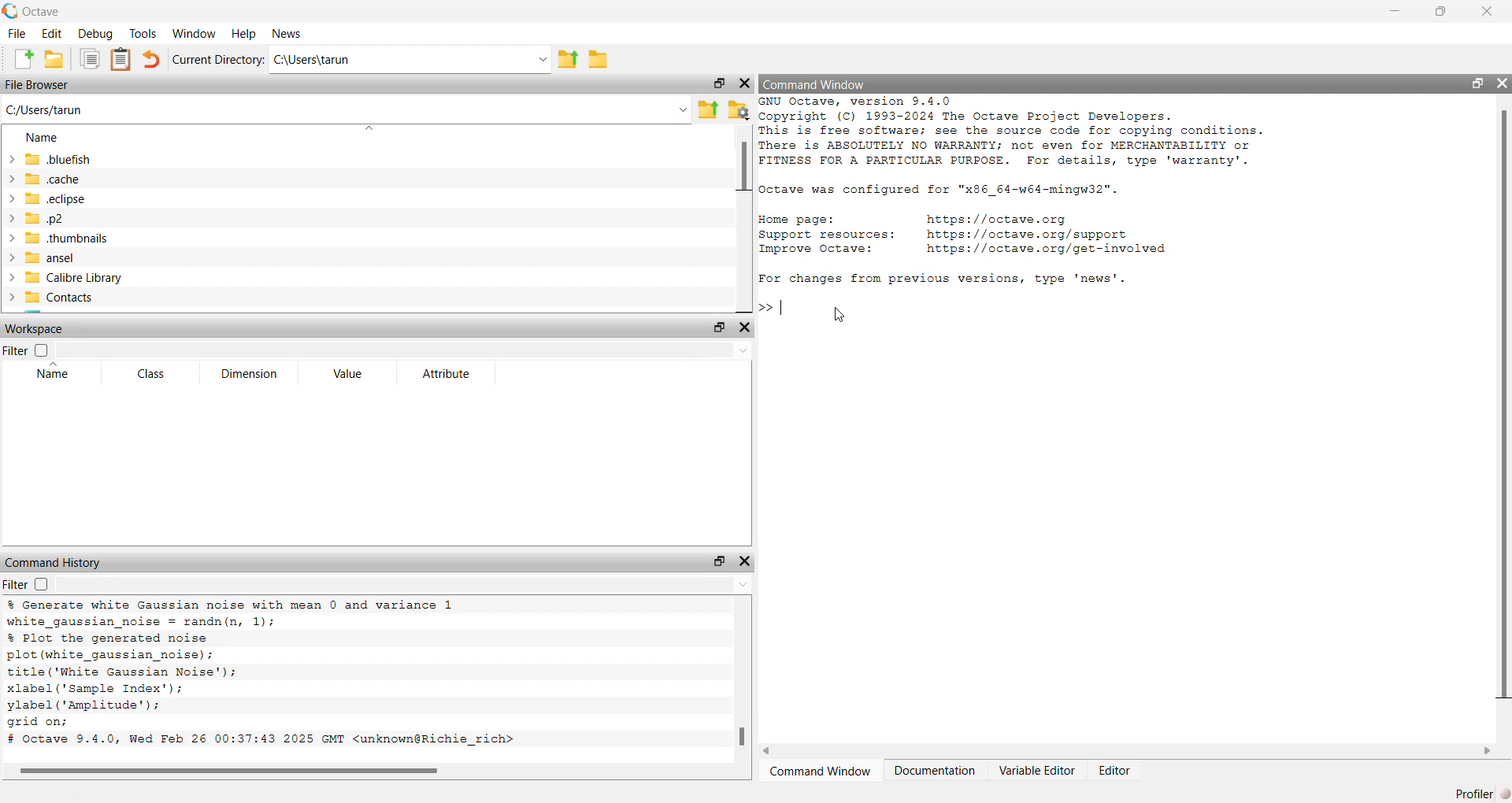 The image size is (1512, 803). I want to click on parent directory, so click(710, 112).